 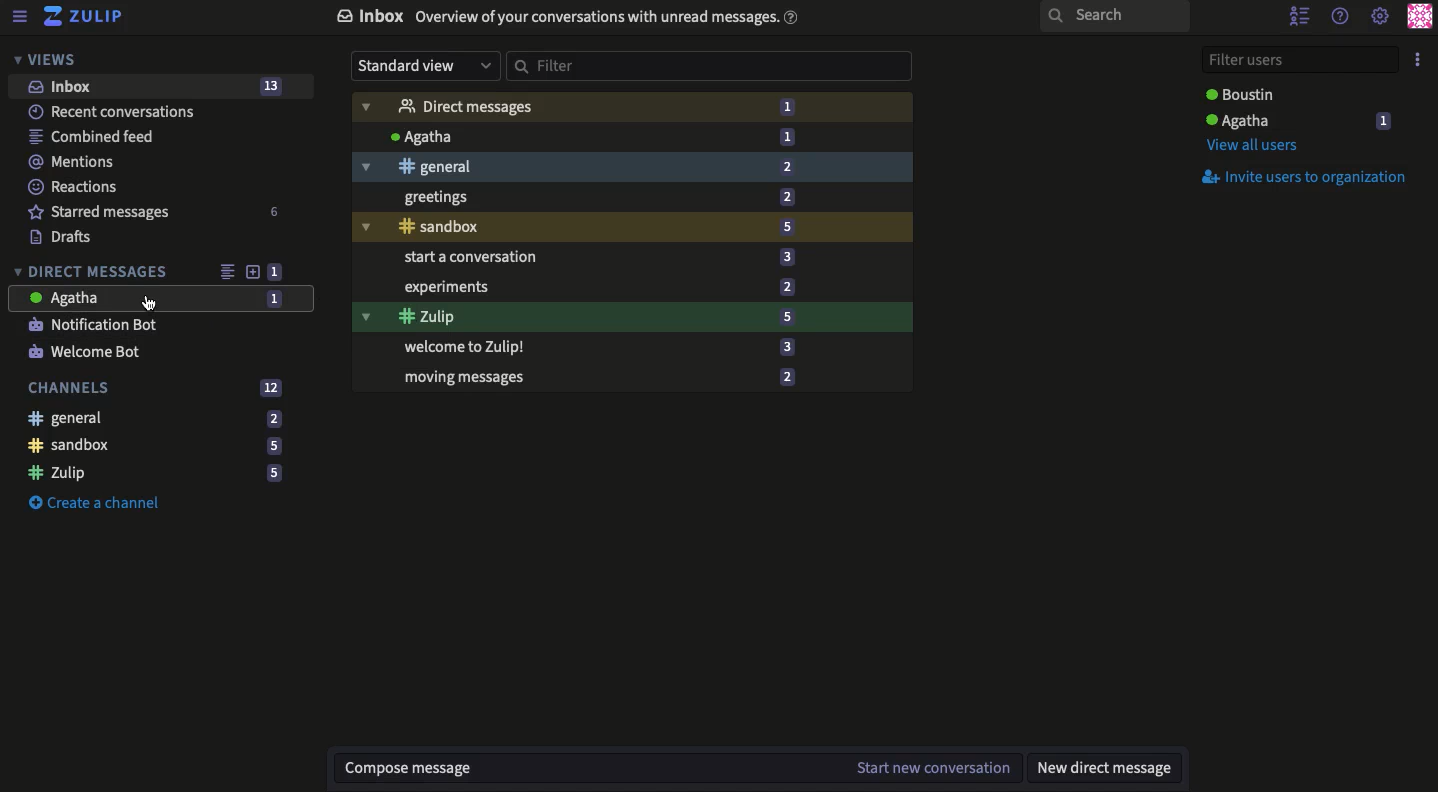 I want to click on New DM, so click(x=256, y=272).